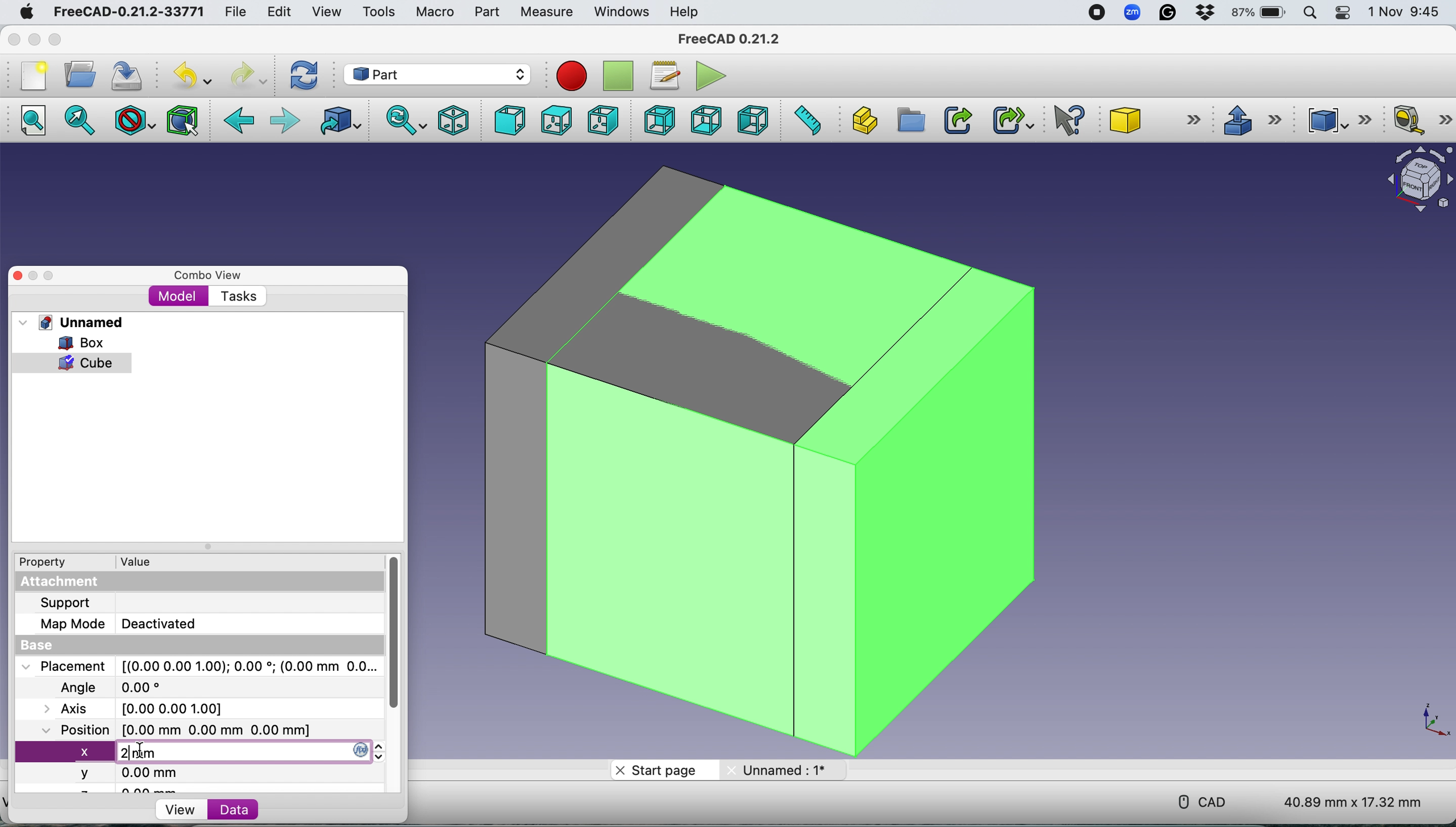 The width and height of the screenshot is (1456, 827). What do you see at coordinates (706, 120) in the screenshot?
I see `Bottom` at bounding box center [706, 120].